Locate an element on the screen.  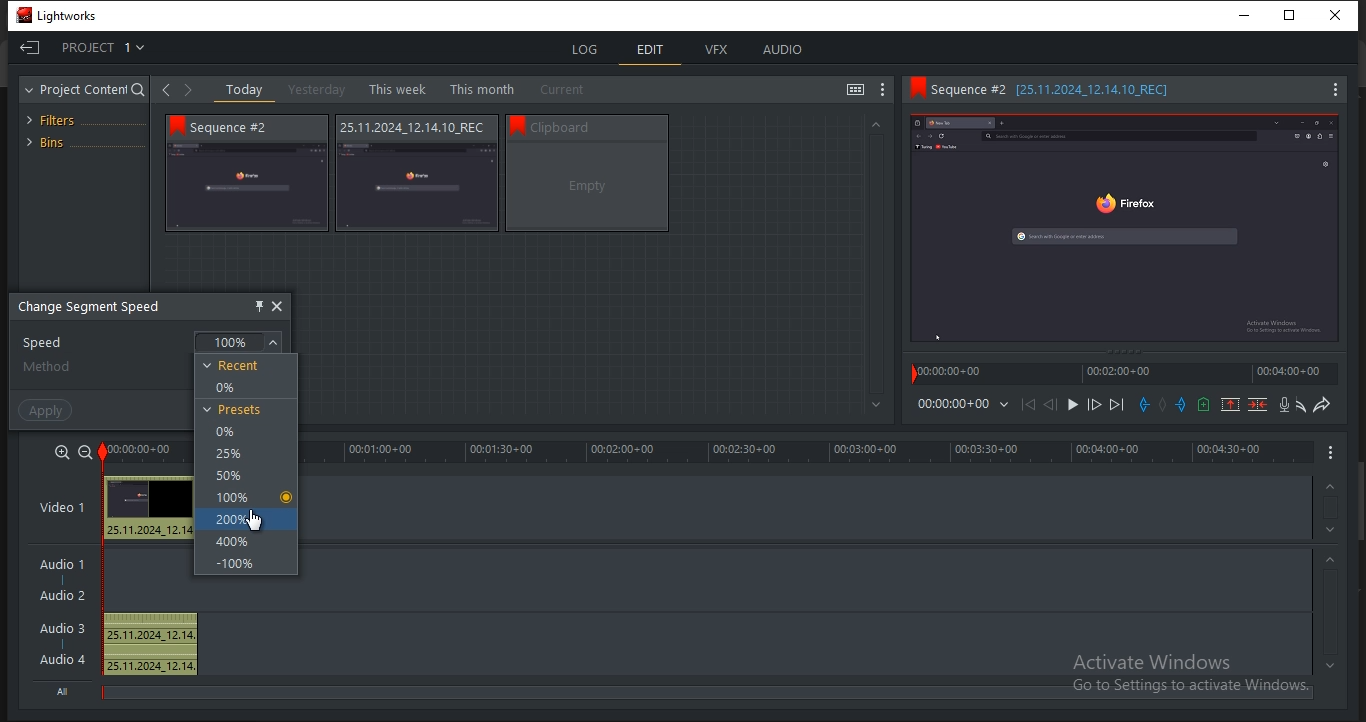
show settings menu is located at coordinates (883, 90).